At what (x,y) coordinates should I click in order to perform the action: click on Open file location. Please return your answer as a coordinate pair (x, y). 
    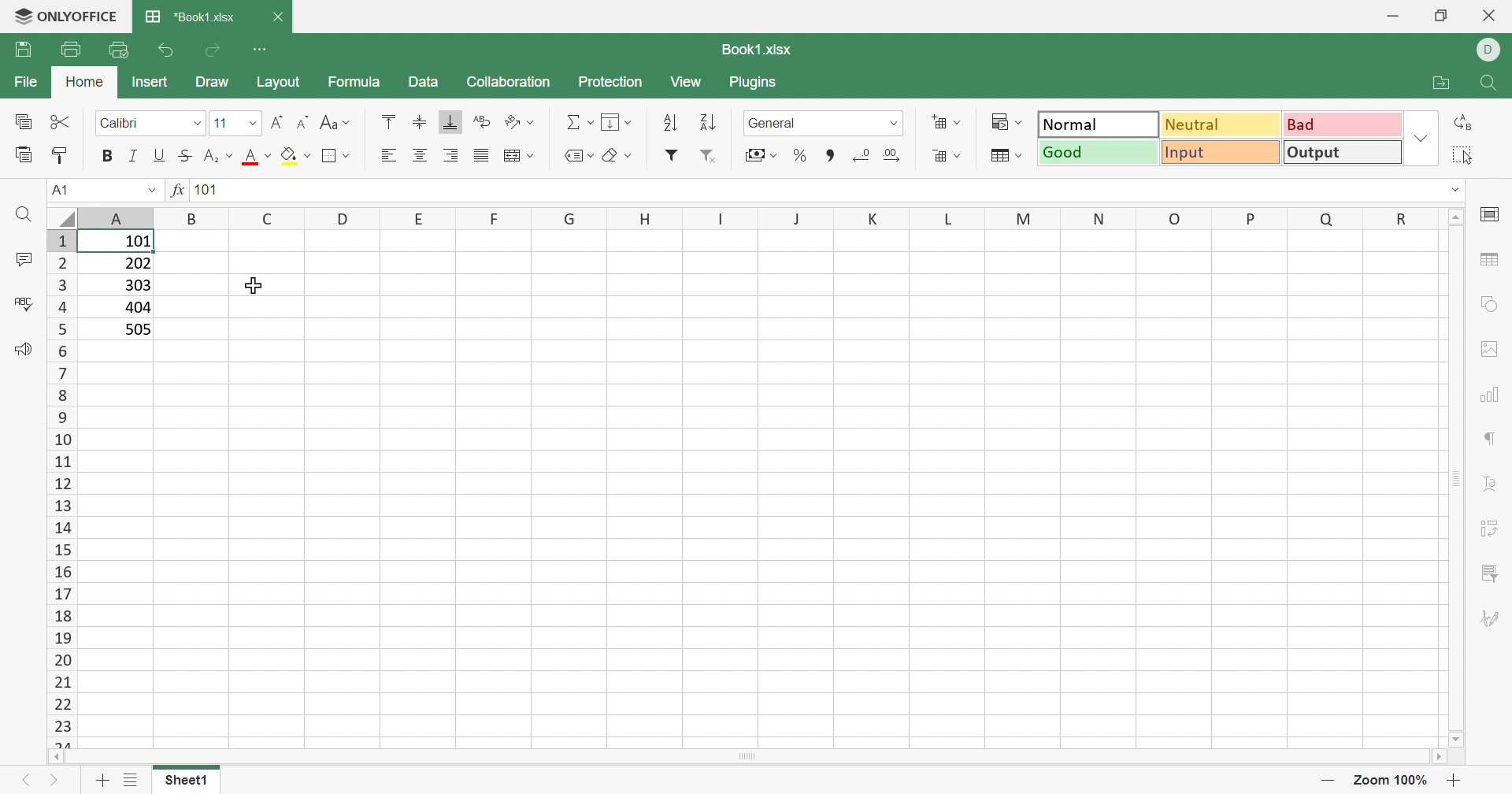
    Looking at the image, I should click on (1433, 82).